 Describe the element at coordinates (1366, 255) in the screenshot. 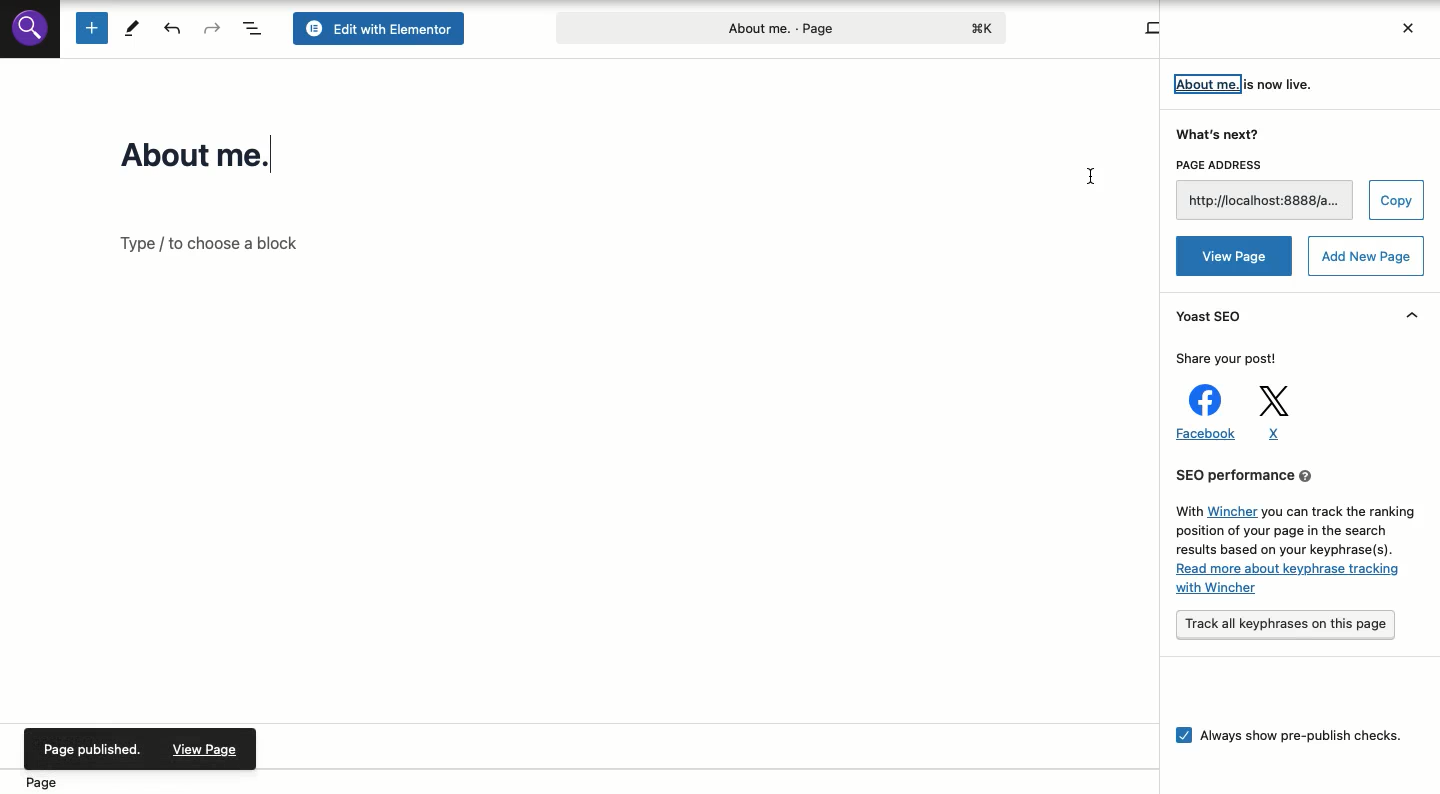

I see `Add new page` at that location.